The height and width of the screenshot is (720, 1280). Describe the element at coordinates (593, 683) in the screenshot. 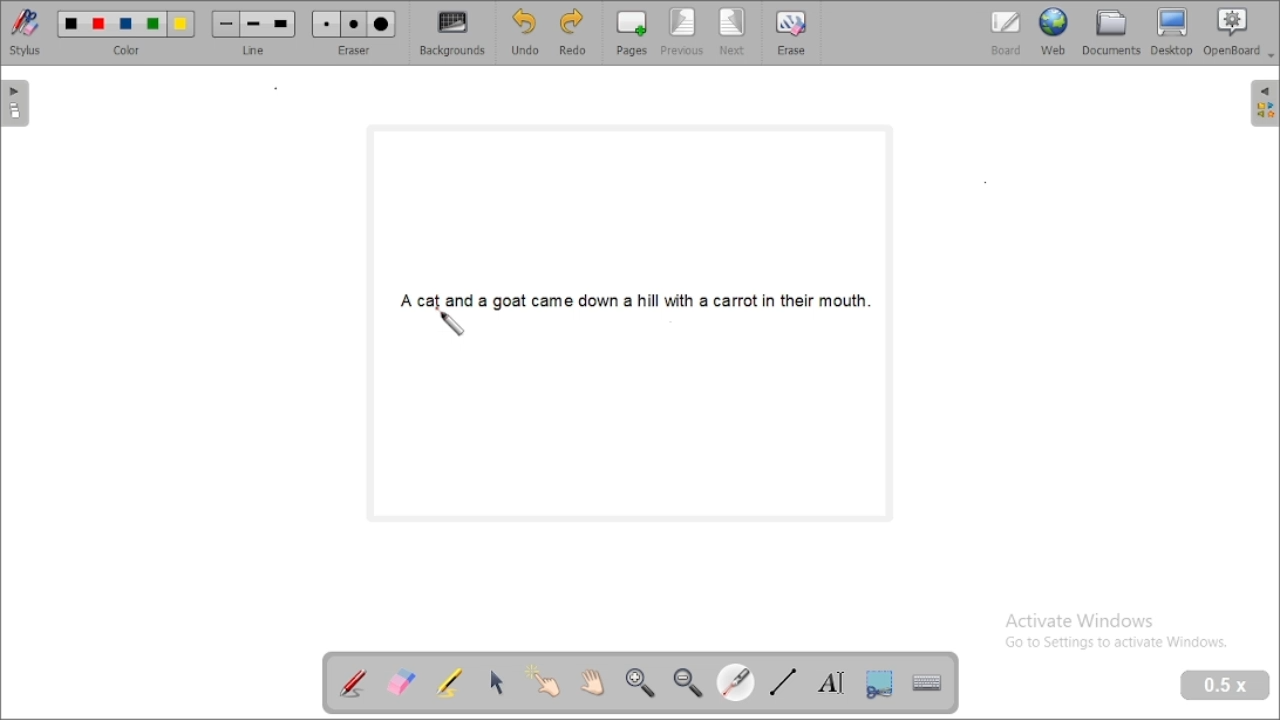

I see `scroll page` at that location.